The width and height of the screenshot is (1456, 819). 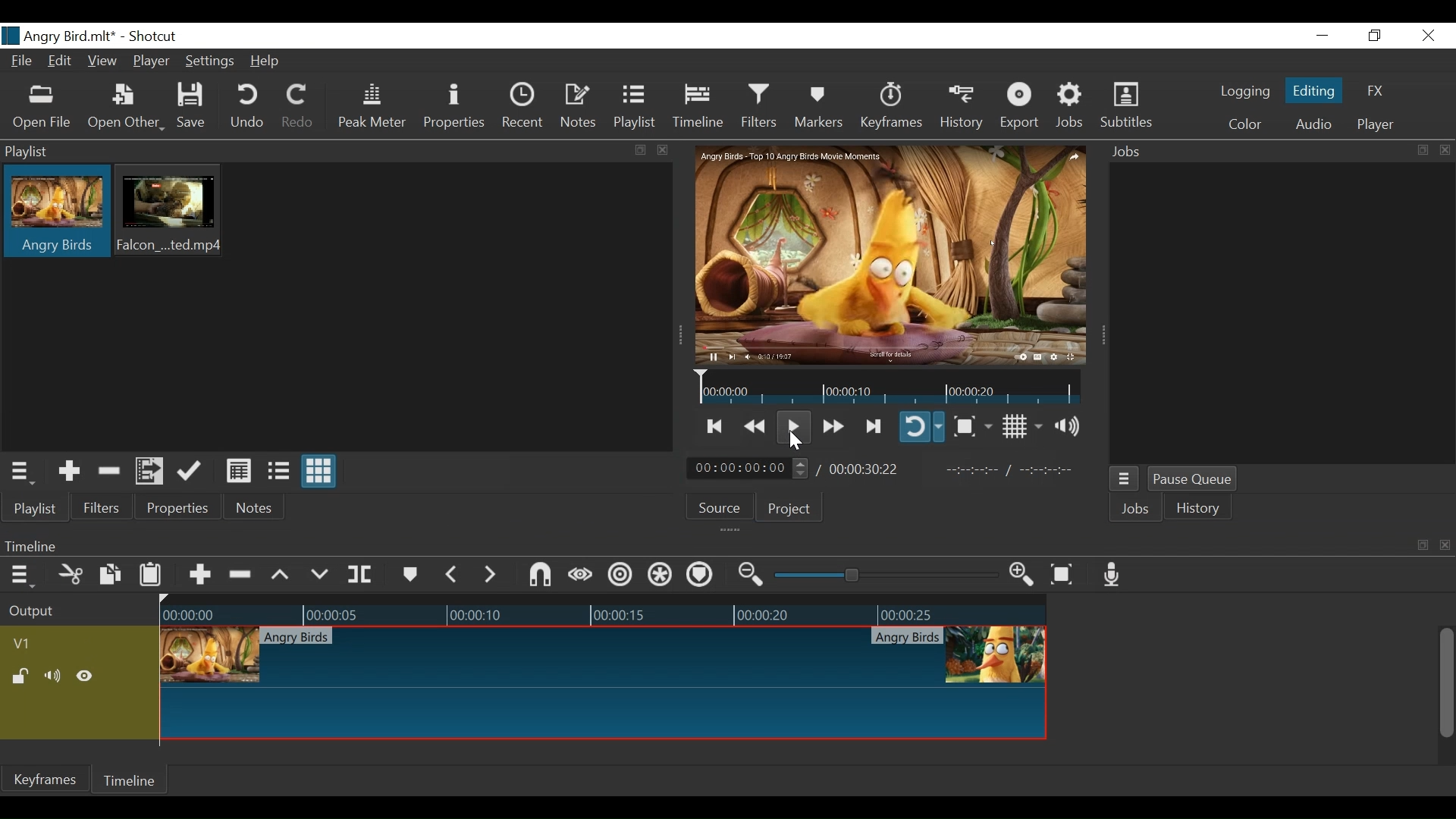 I want to click on Notes, so click(x=581, y=108).